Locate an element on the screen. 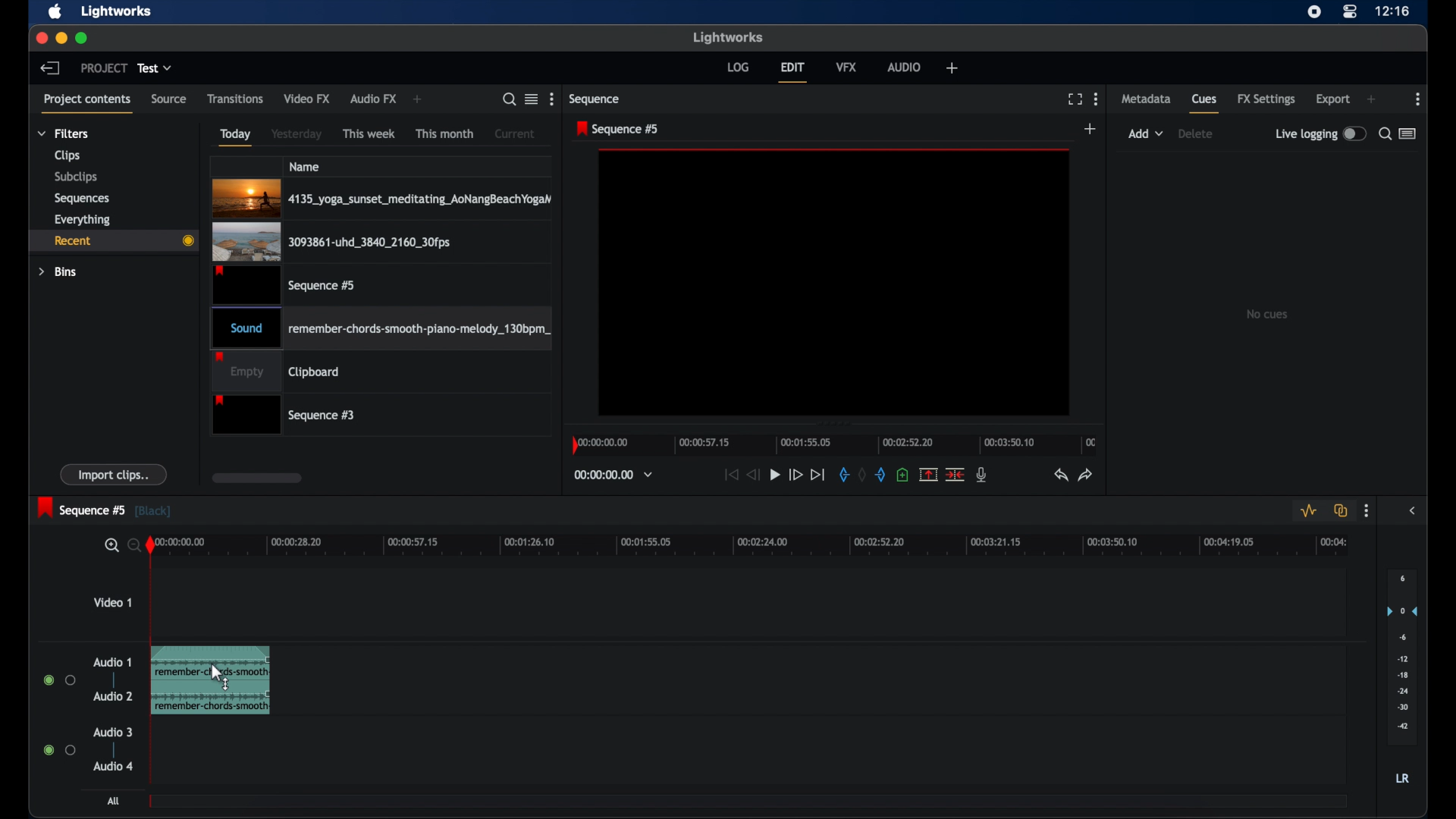 Image resolution: width=1456 pixels, height=819 pixels. no cues is located at coordinates (1266, 314).